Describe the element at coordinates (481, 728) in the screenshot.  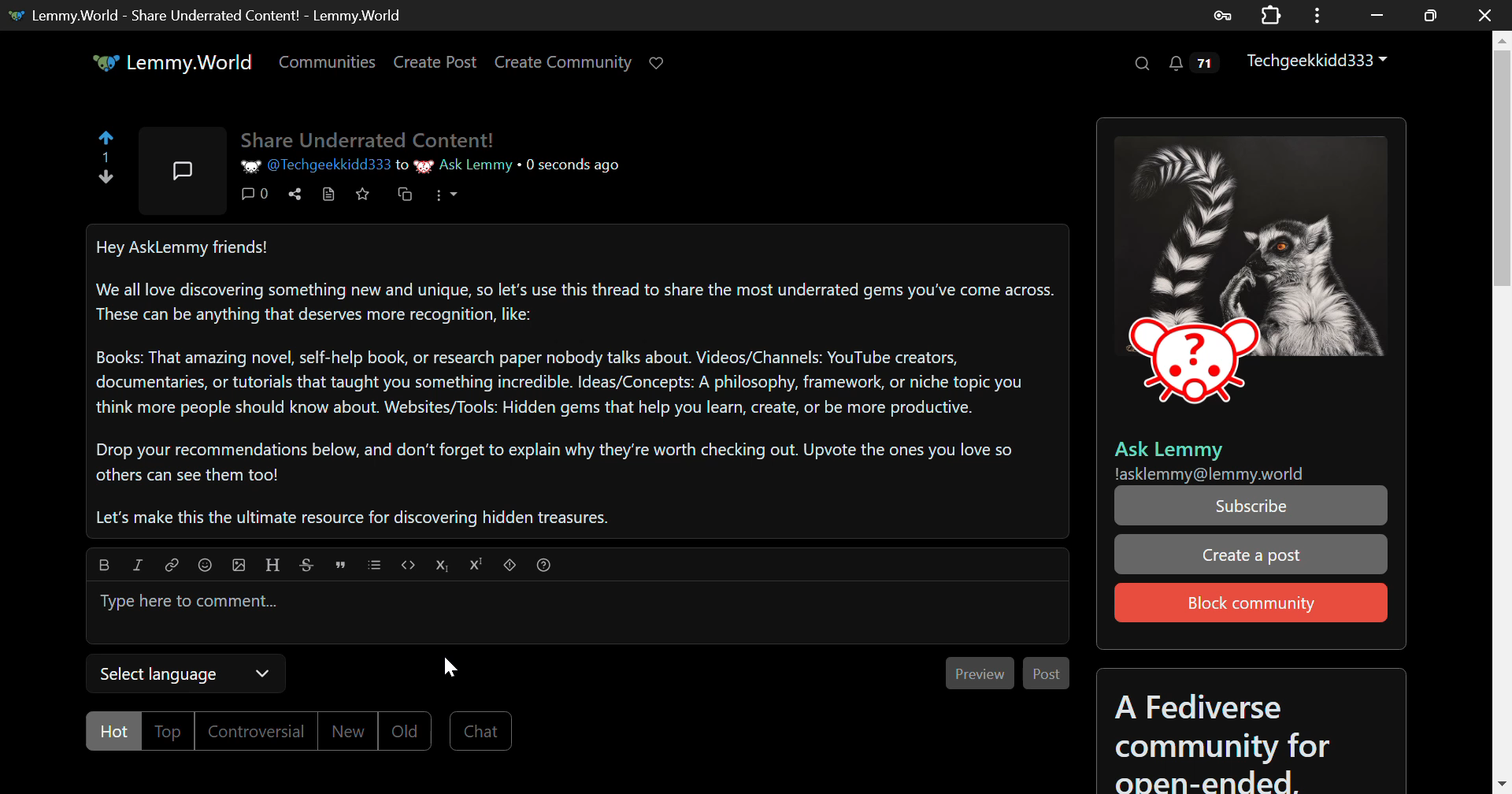
I see `Chat` at that location.